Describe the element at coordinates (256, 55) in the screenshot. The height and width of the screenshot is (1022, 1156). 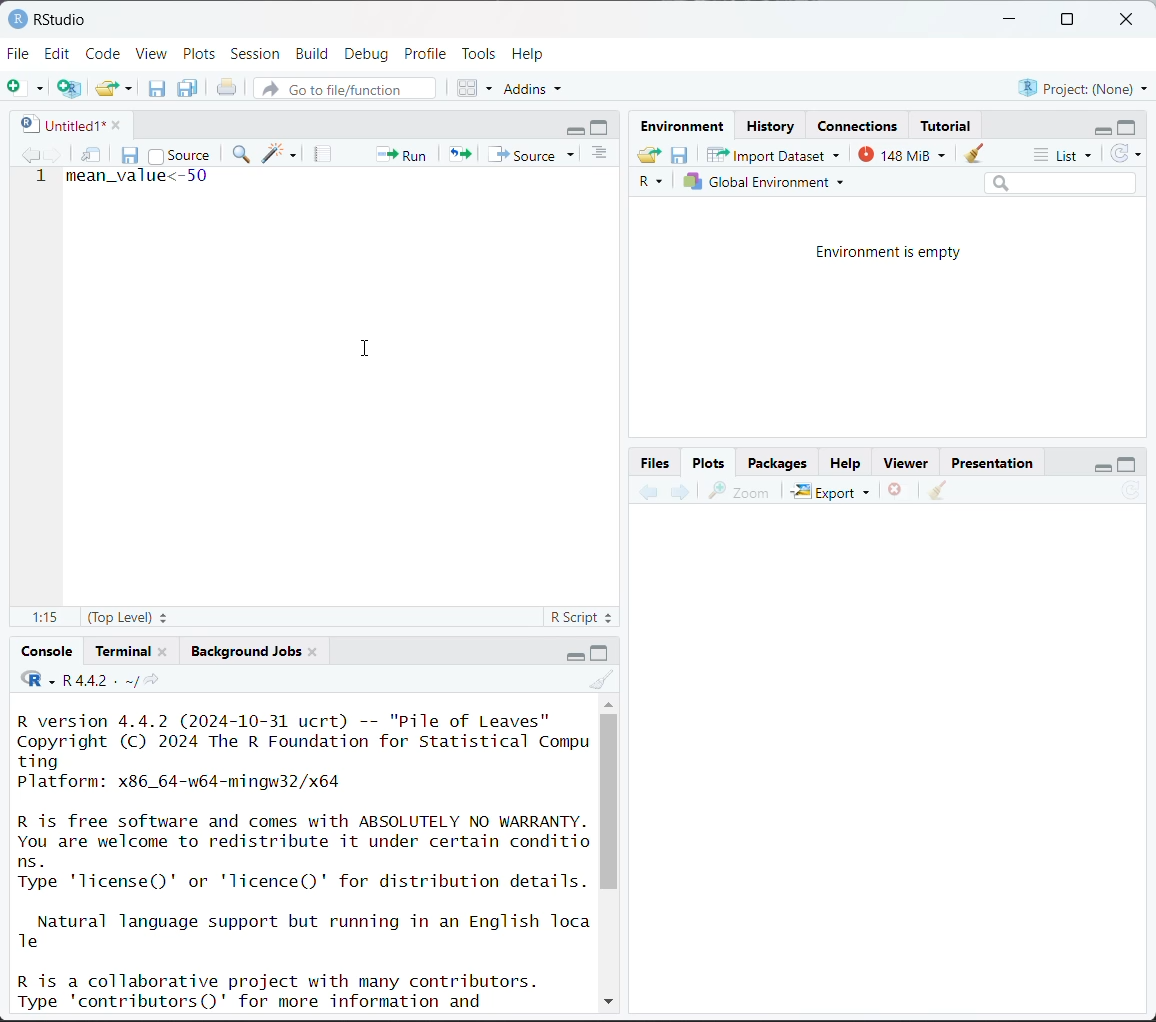
I see `Session` at that location.